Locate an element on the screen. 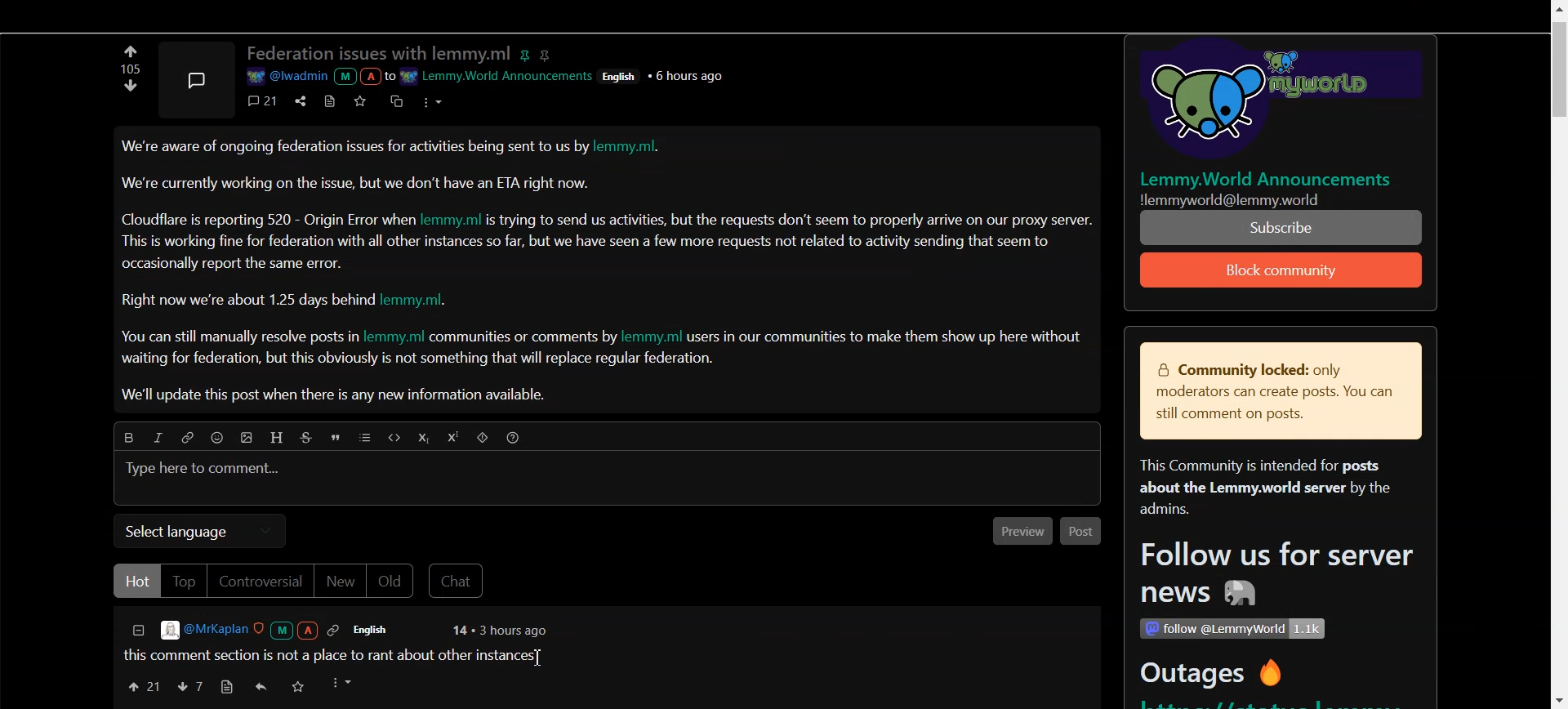 This screenshot has width=1568, height=709. Collapse is located at coordinates (137, 632).